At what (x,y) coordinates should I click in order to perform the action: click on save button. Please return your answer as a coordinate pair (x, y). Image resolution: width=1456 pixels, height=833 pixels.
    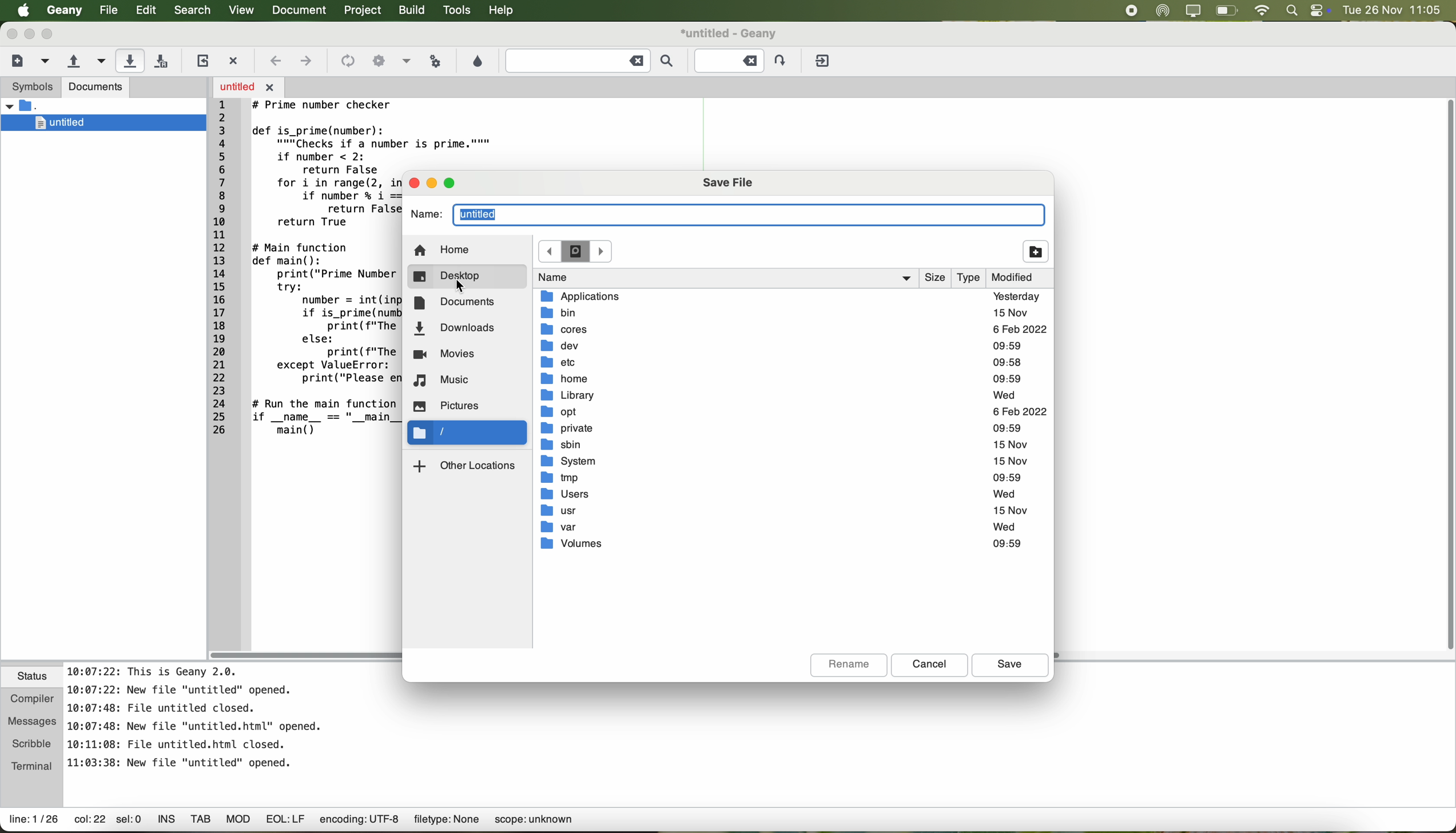
    Looking at the image, I should click on (1009, 666).